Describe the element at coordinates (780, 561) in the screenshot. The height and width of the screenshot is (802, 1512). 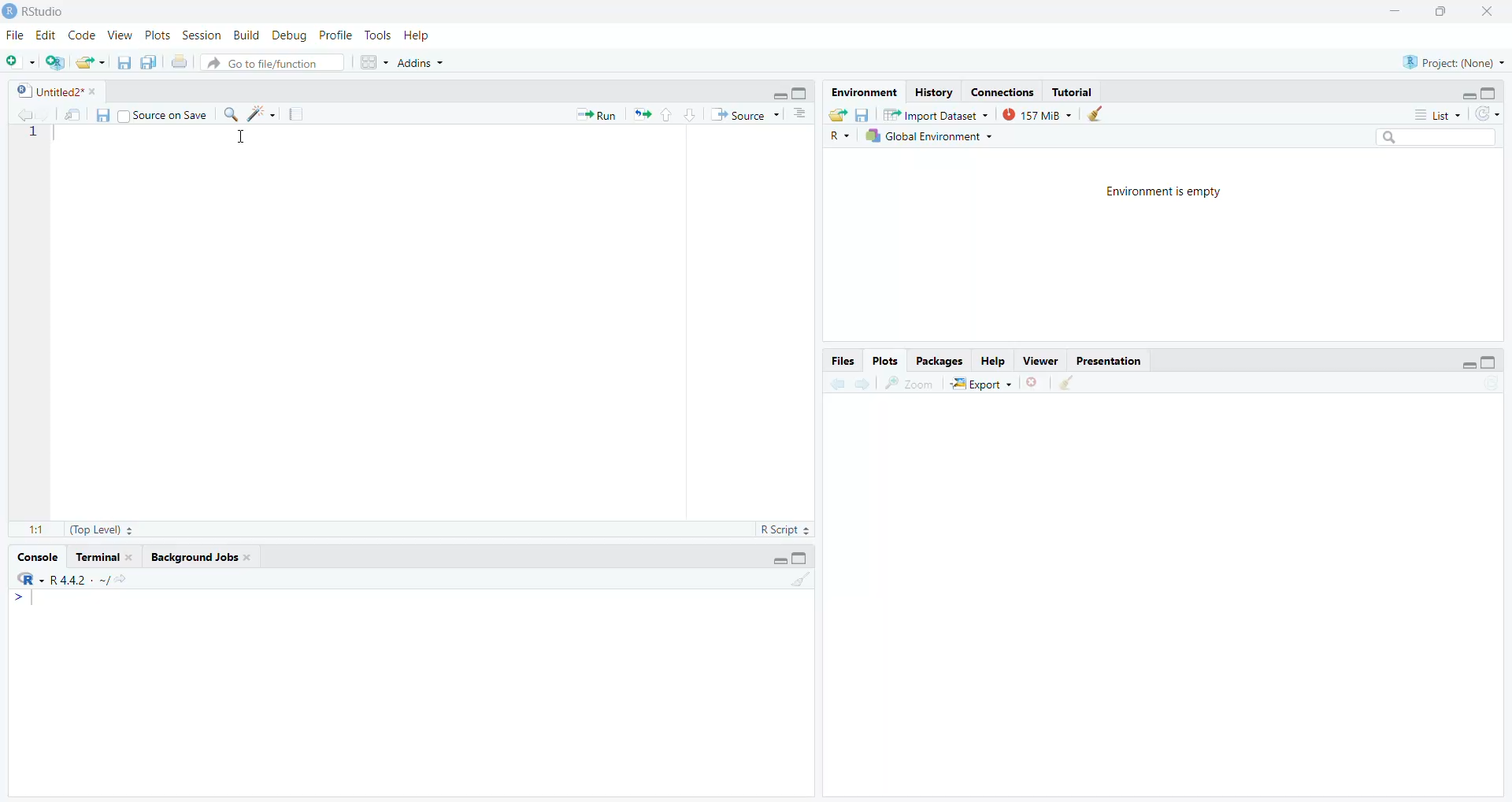
I see `minimize` at that location.